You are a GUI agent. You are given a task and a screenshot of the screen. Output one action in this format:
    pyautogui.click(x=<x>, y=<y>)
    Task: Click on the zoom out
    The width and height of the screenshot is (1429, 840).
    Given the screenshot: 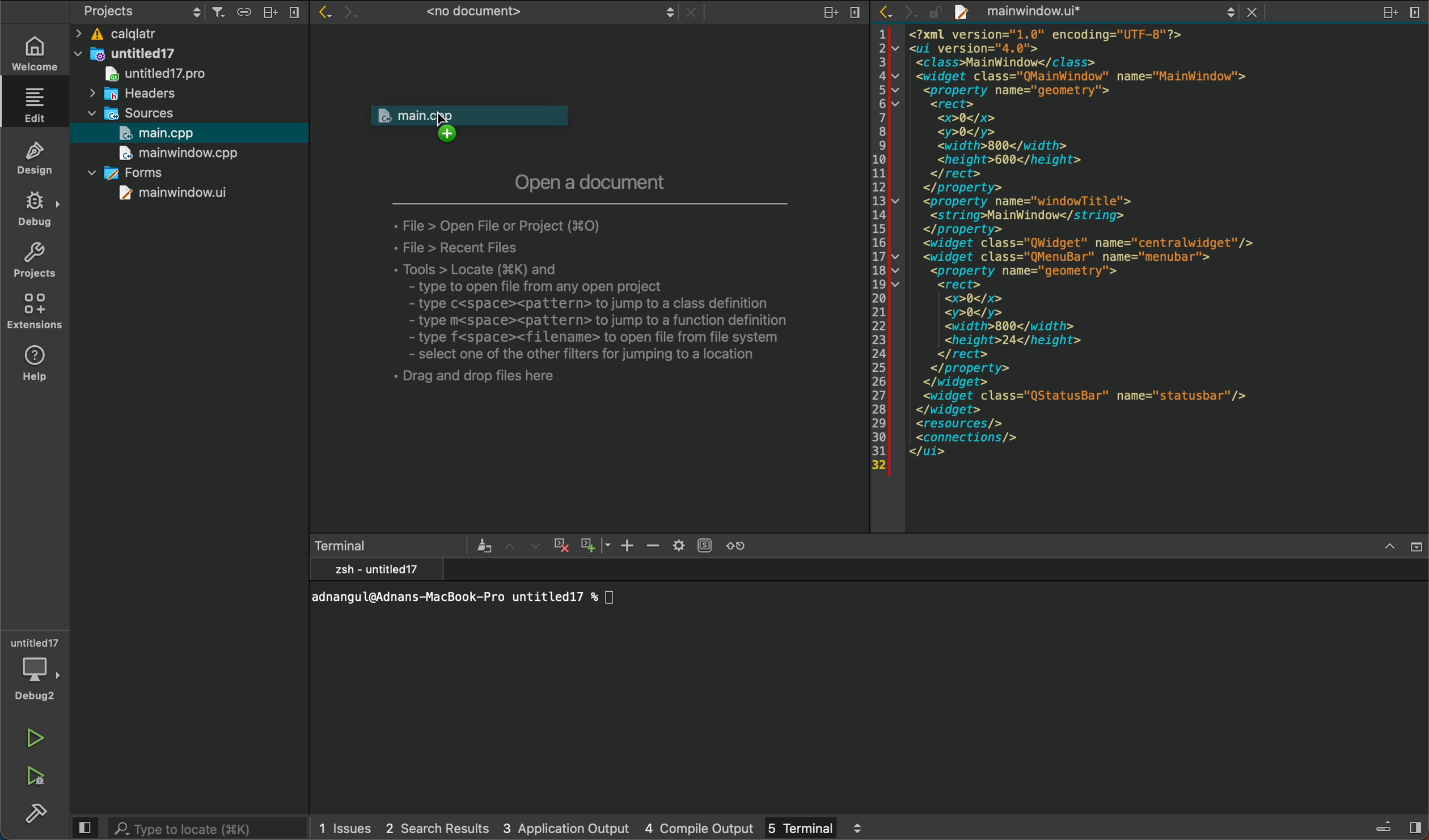 What is the action you would take?
    pyautogui.click(x=594, y=544)
    